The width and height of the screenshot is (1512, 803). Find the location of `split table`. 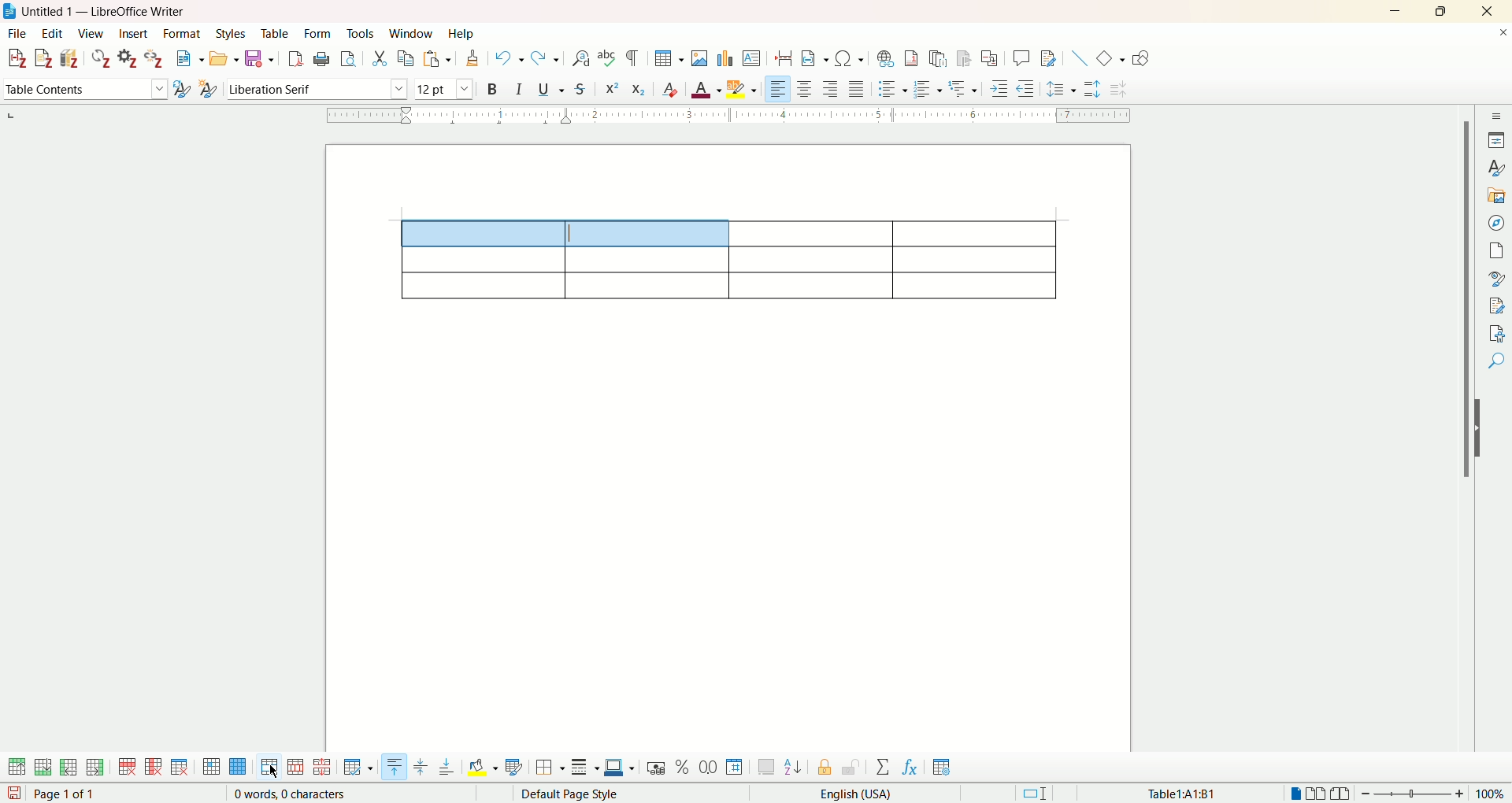

split table is located at coordinates (322, 768).